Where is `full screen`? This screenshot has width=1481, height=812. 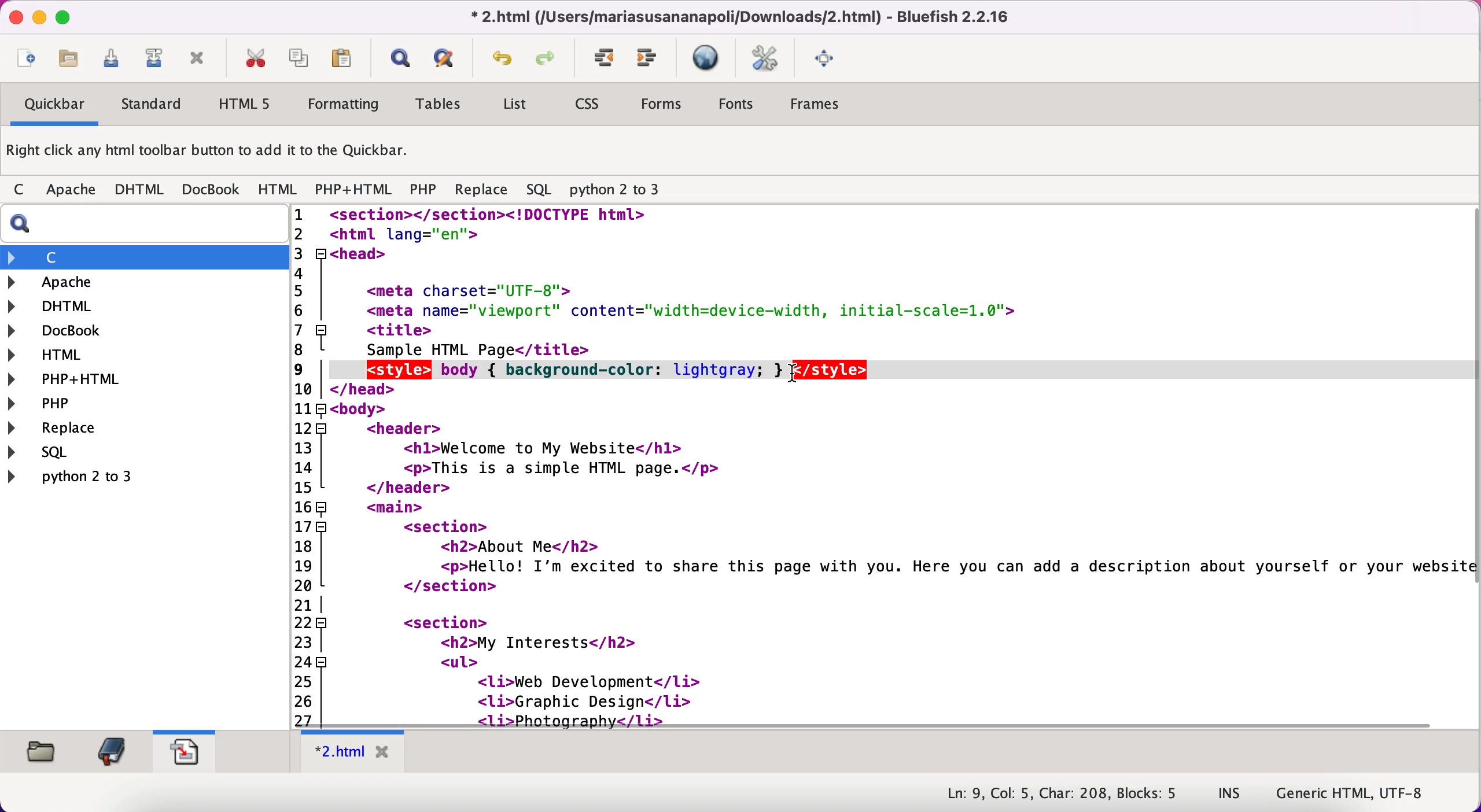
full screen is located at coordinates (827, 57).